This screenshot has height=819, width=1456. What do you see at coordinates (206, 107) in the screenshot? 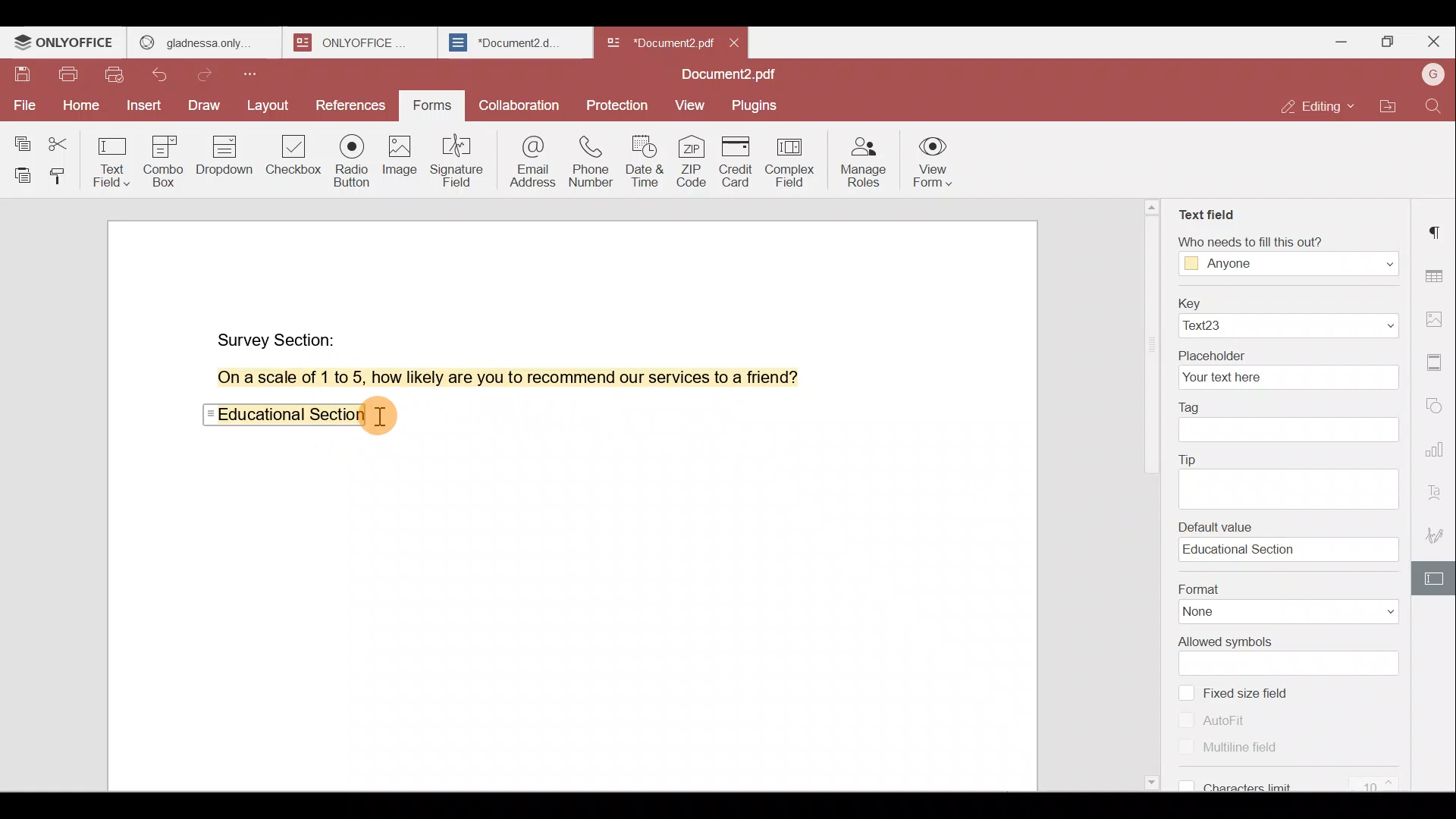
I see `Draw` at bounding box center [206, 107].